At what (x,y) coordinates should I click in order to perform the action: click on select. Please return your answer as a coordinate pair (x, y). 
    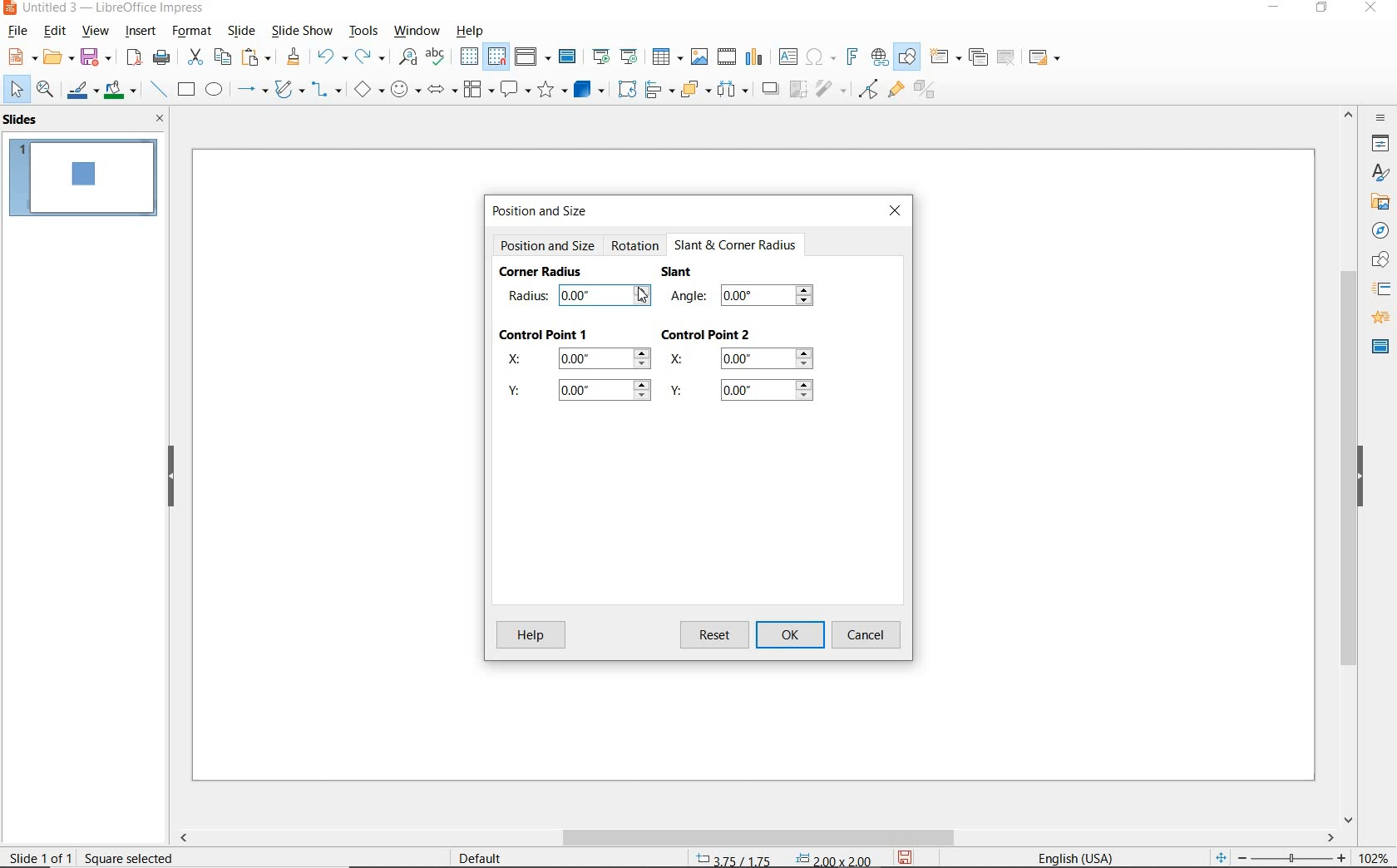
    Looking at the image, I should click on (13, 91).